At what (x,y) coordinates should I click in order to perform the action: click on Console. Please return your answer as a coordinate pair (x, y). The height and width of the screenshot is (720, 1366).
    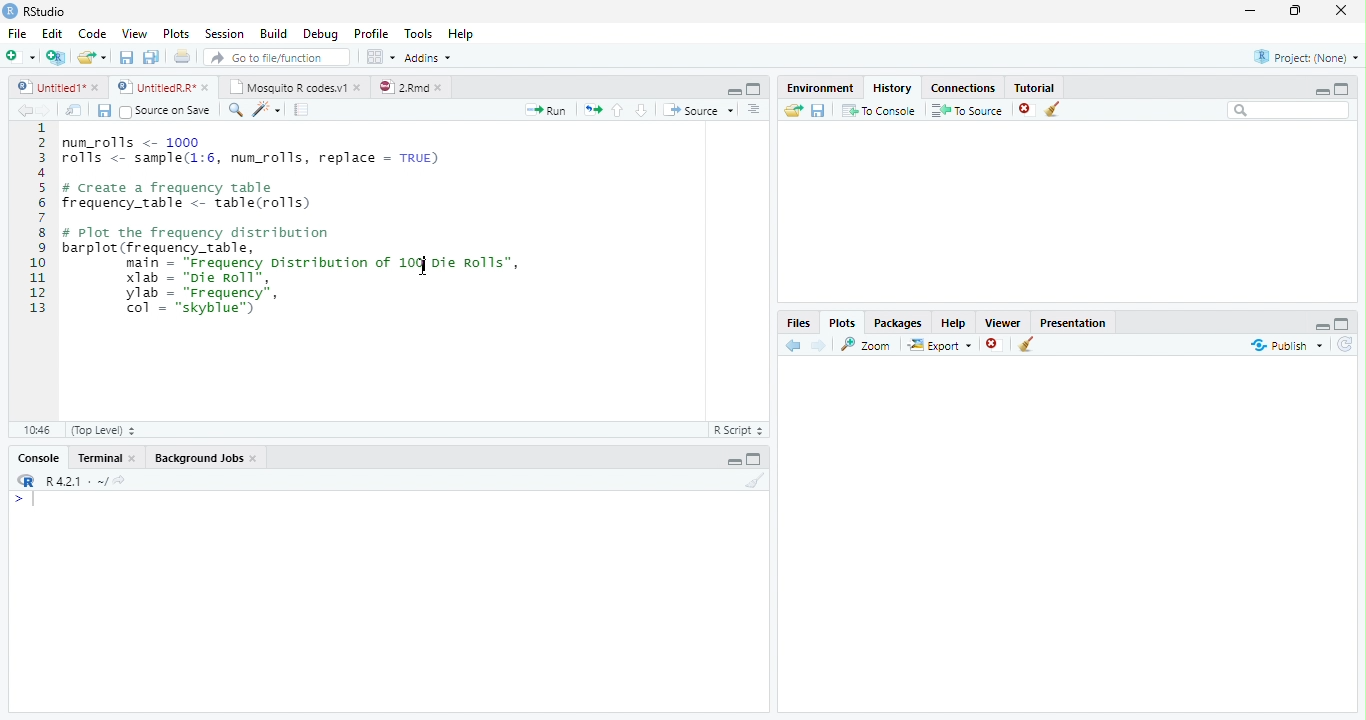
    Looking at the image, I should click on (386, 601).